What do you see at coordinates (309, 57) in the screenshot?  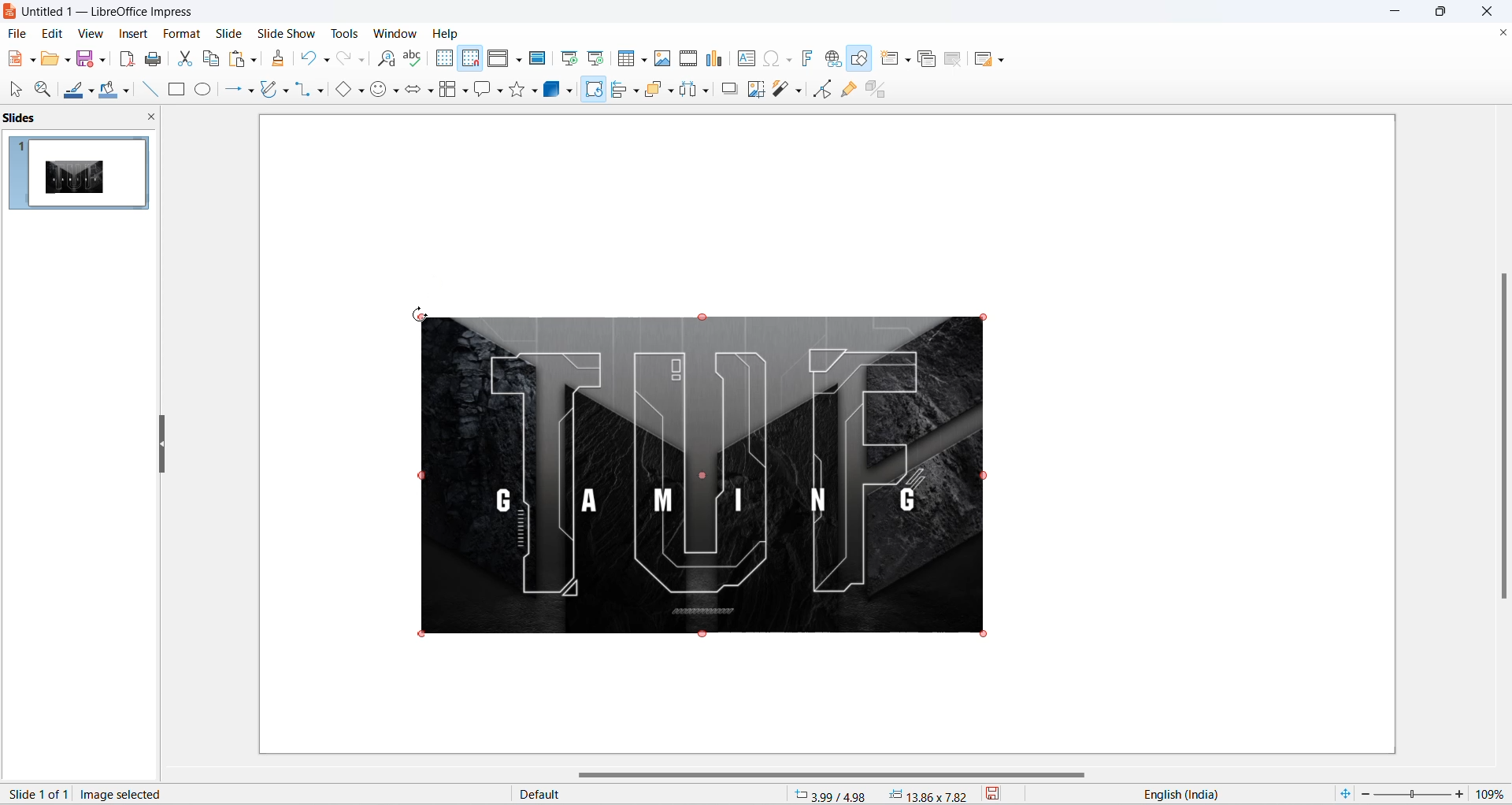 I see `undo` at bounding box center [309, 57].